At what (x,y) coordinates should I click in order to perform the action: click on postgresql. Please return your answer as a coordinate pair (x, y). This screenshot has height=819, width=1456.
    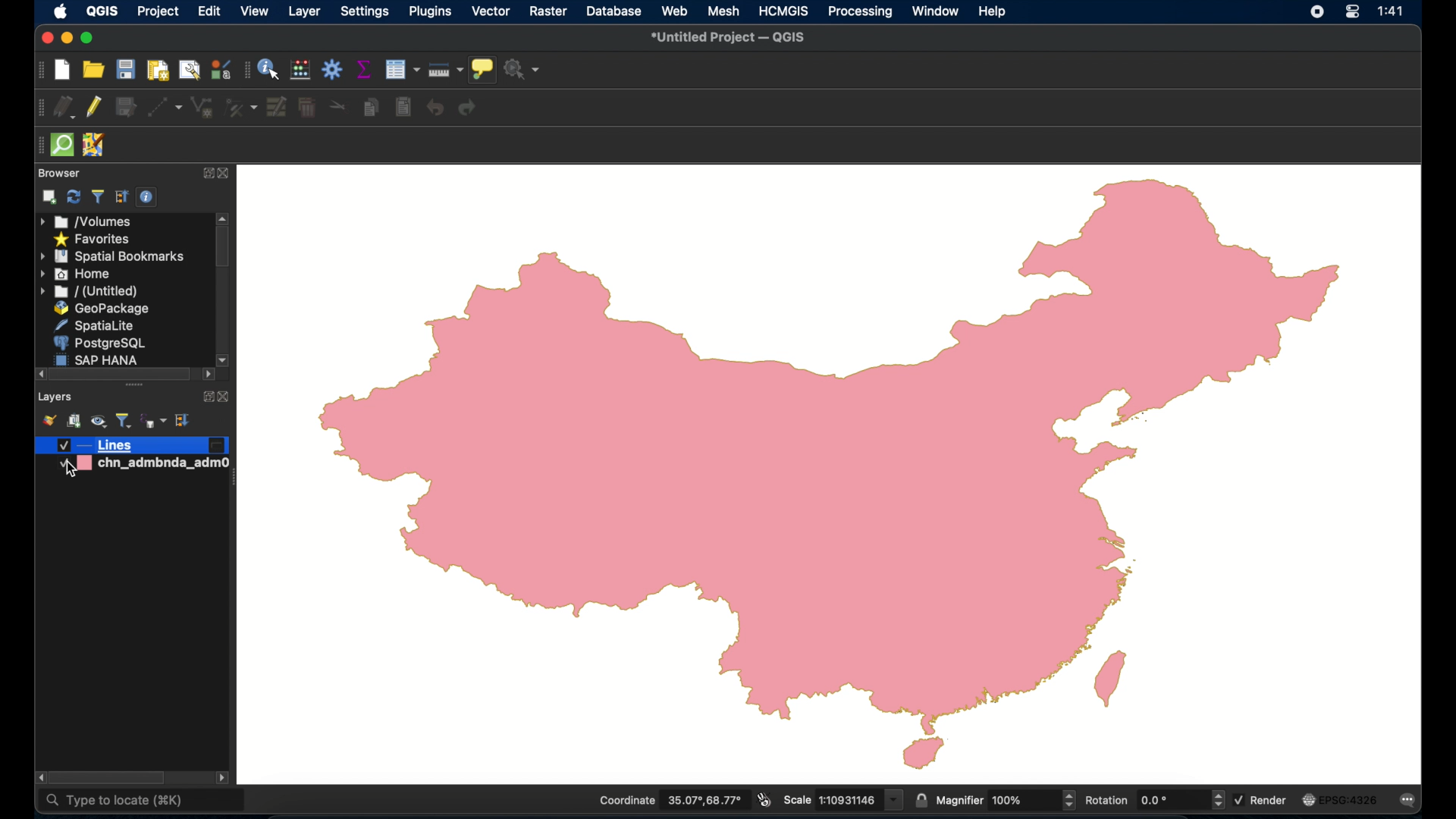
    Looking at the image, I should click on (98, 343).